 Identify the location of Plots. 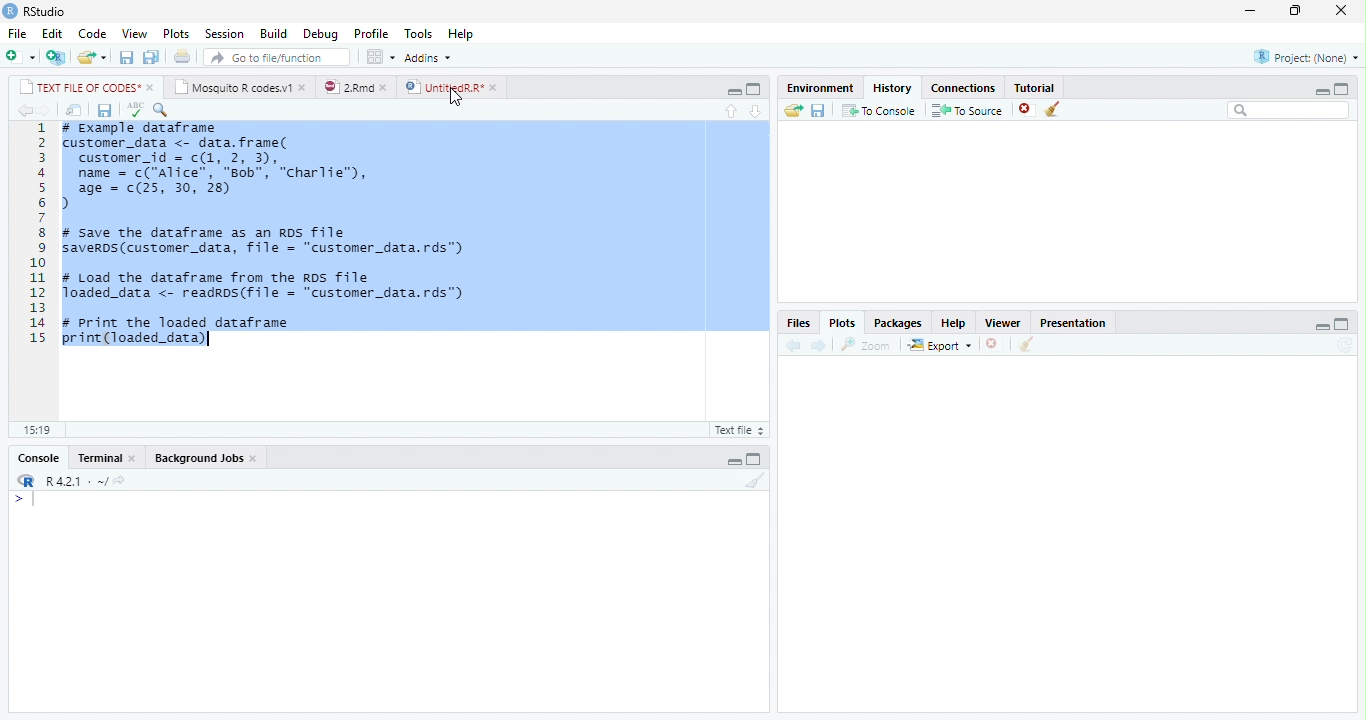
(175, 34).